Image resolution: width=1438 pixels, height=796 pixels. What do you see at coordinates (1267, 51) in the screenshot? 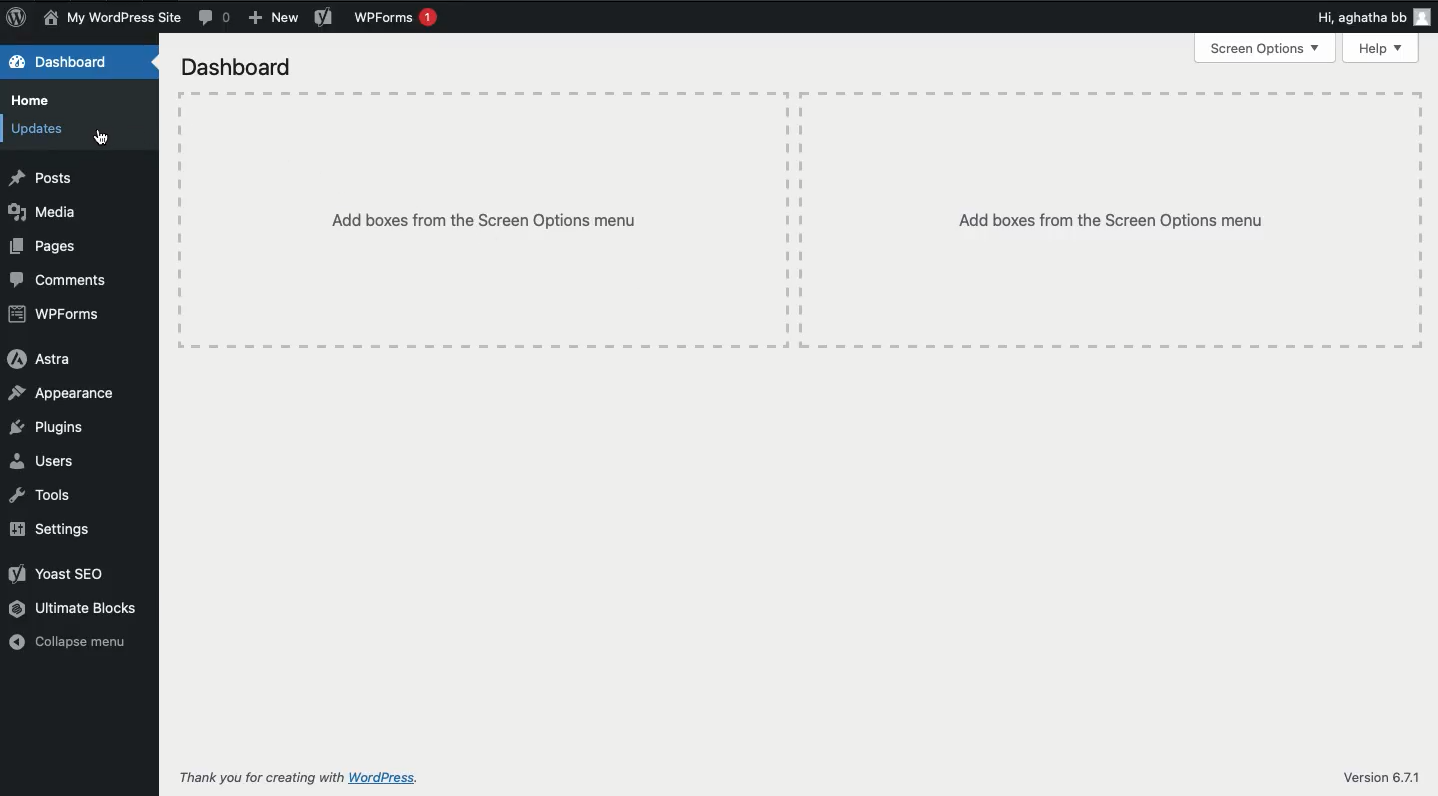
I see `Screen options` at bounding box center [1267, 51].